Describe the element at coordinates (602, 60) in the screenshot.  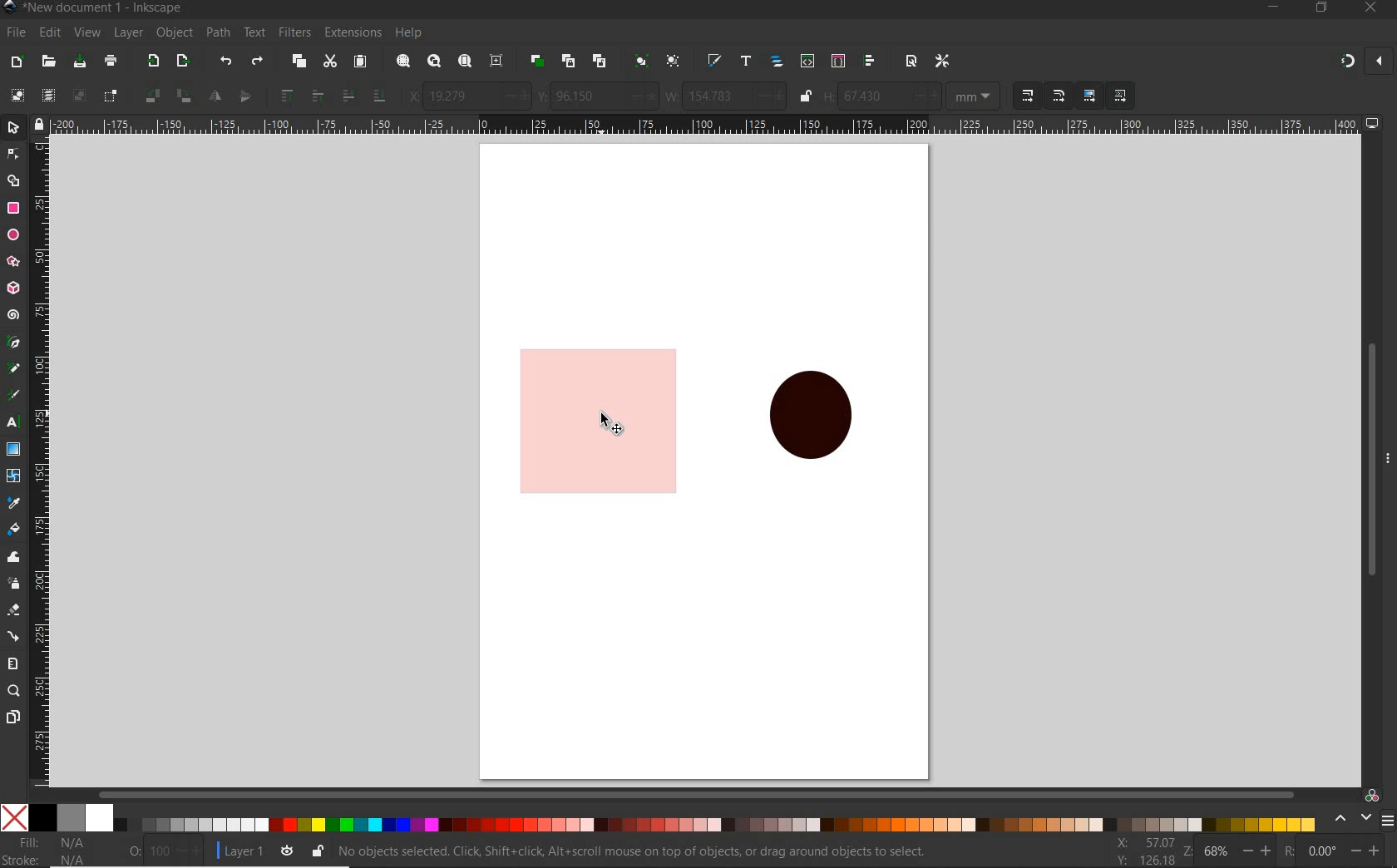
I see `unlink clone` at that location.